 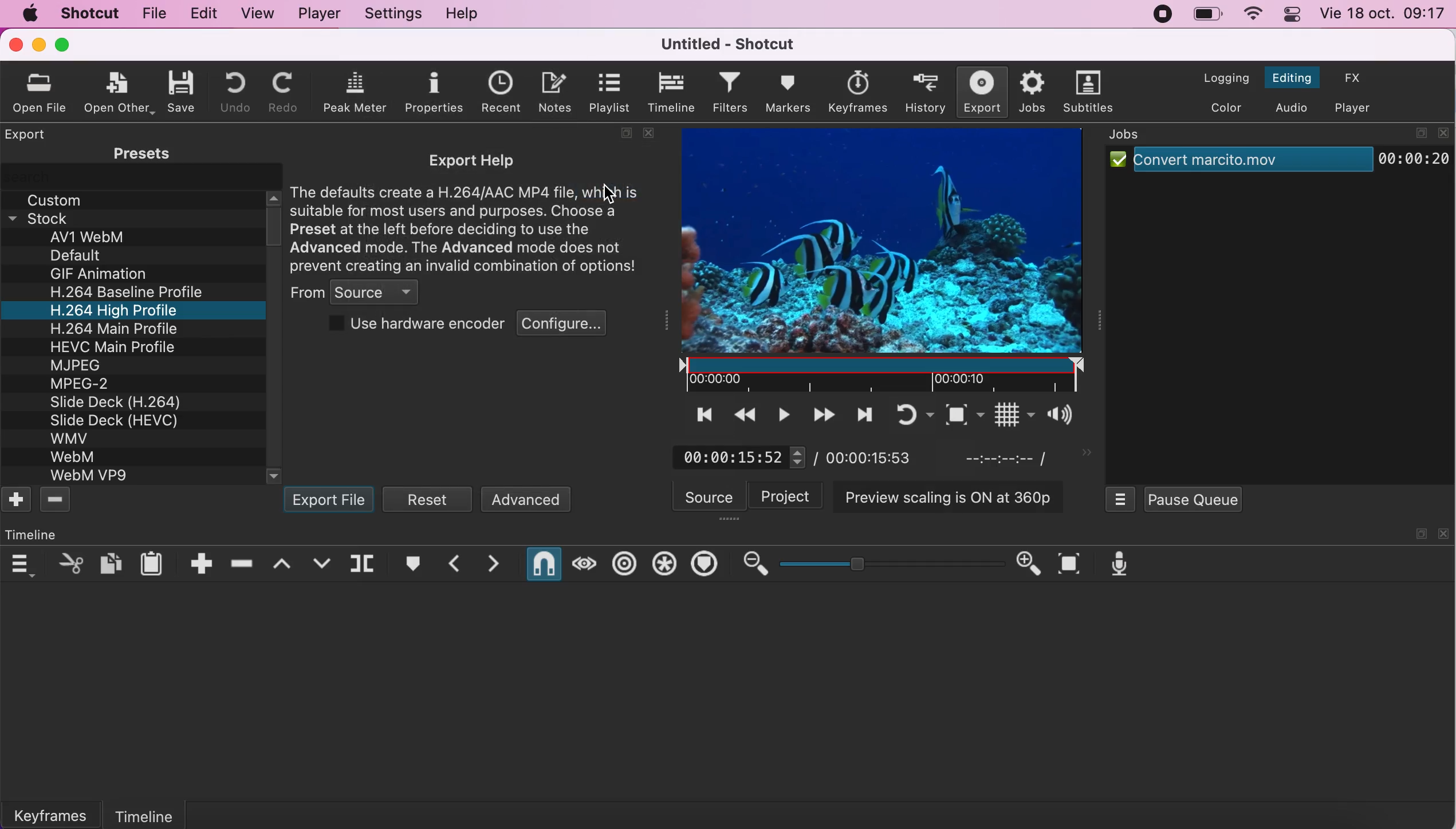 What do you see at coordinates (919, 93) in the screenshot?
I see `history` at bounding box center [919, 93].